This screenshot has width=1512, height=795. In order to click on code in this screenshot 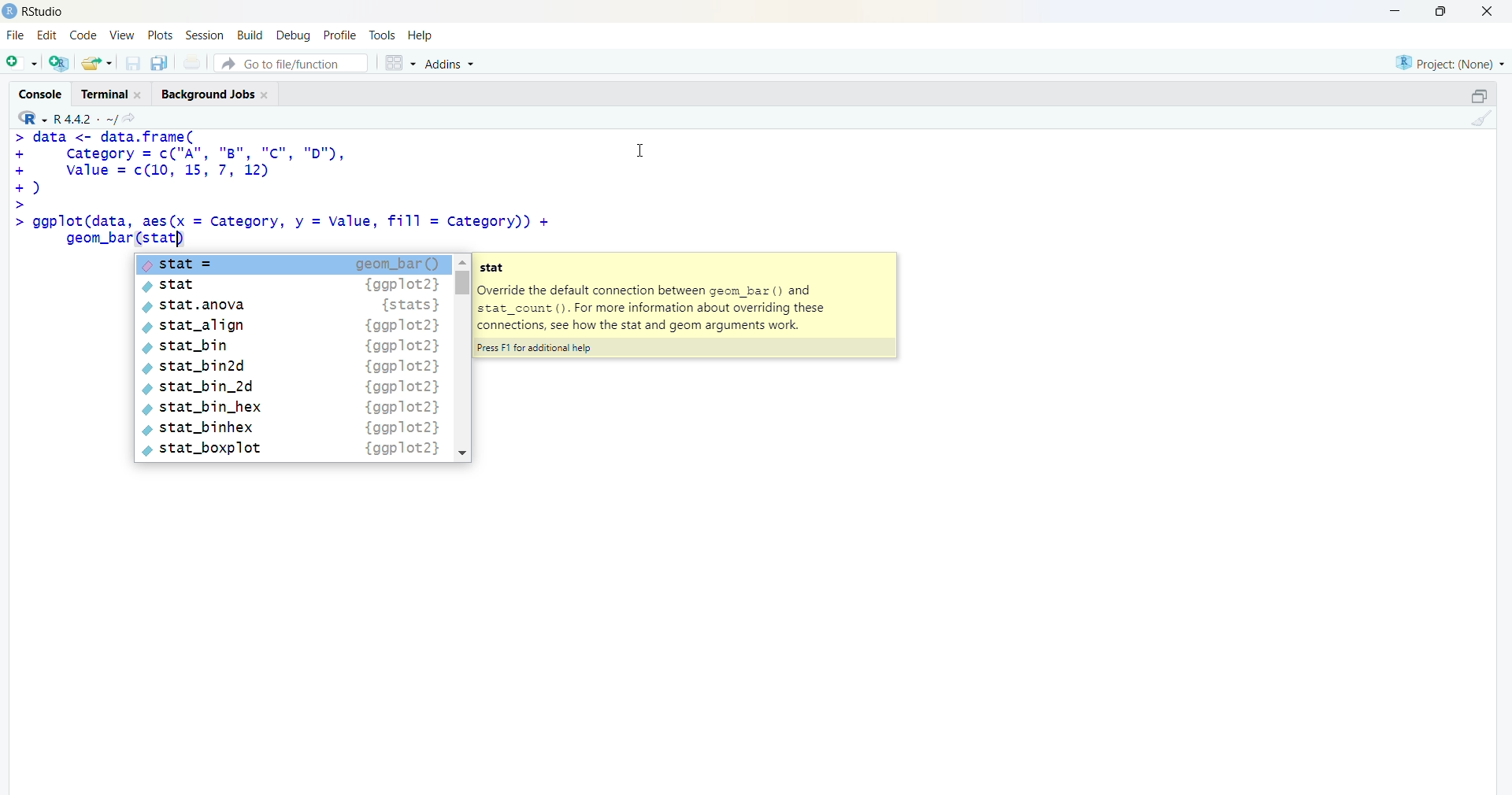, I will do `click(83, 35)`.